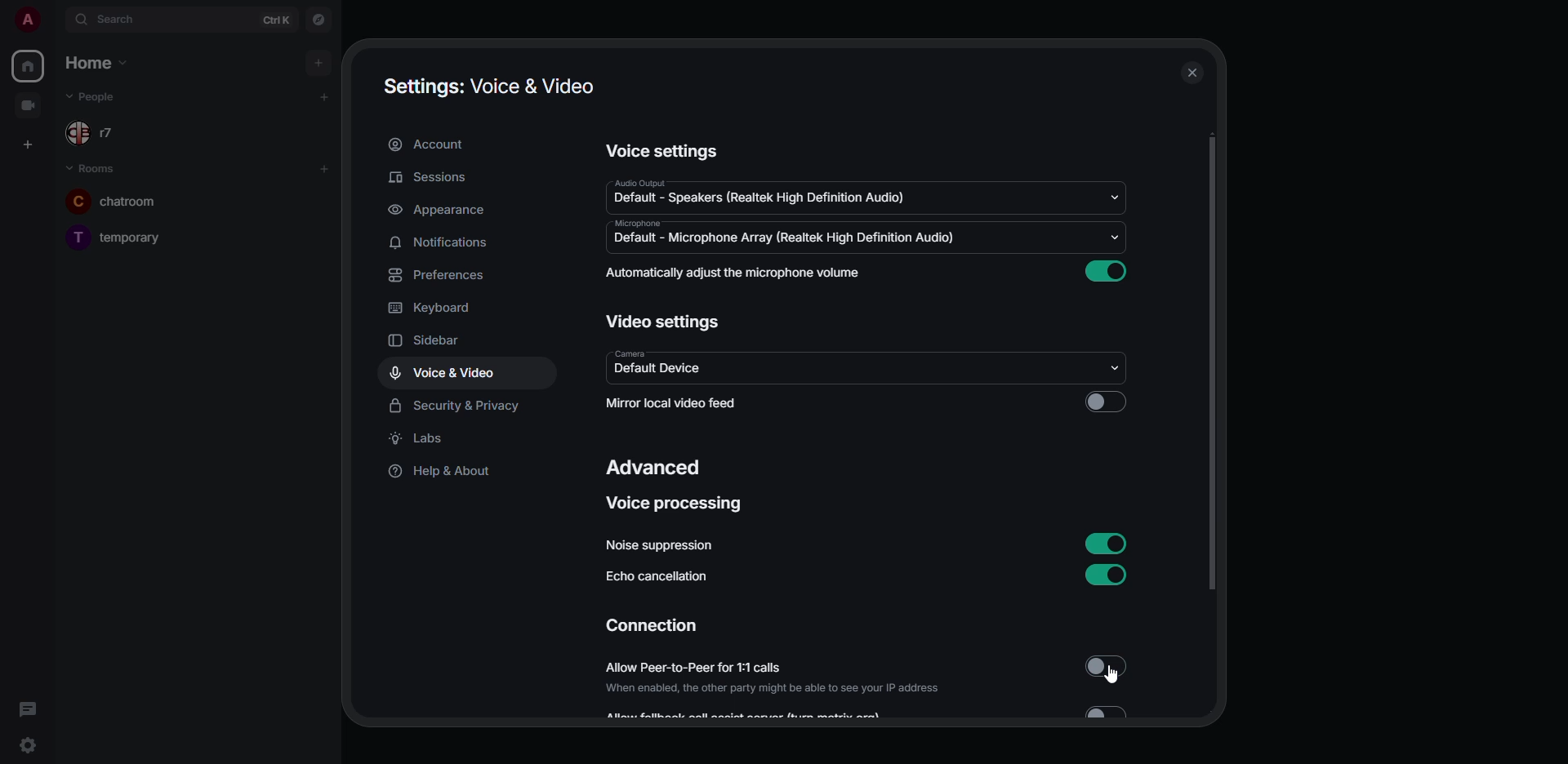 This screenshot has width=1568, height=764. Describe the element at coordinates (439, 470) in the screenshot. I see `help & about` at that location.